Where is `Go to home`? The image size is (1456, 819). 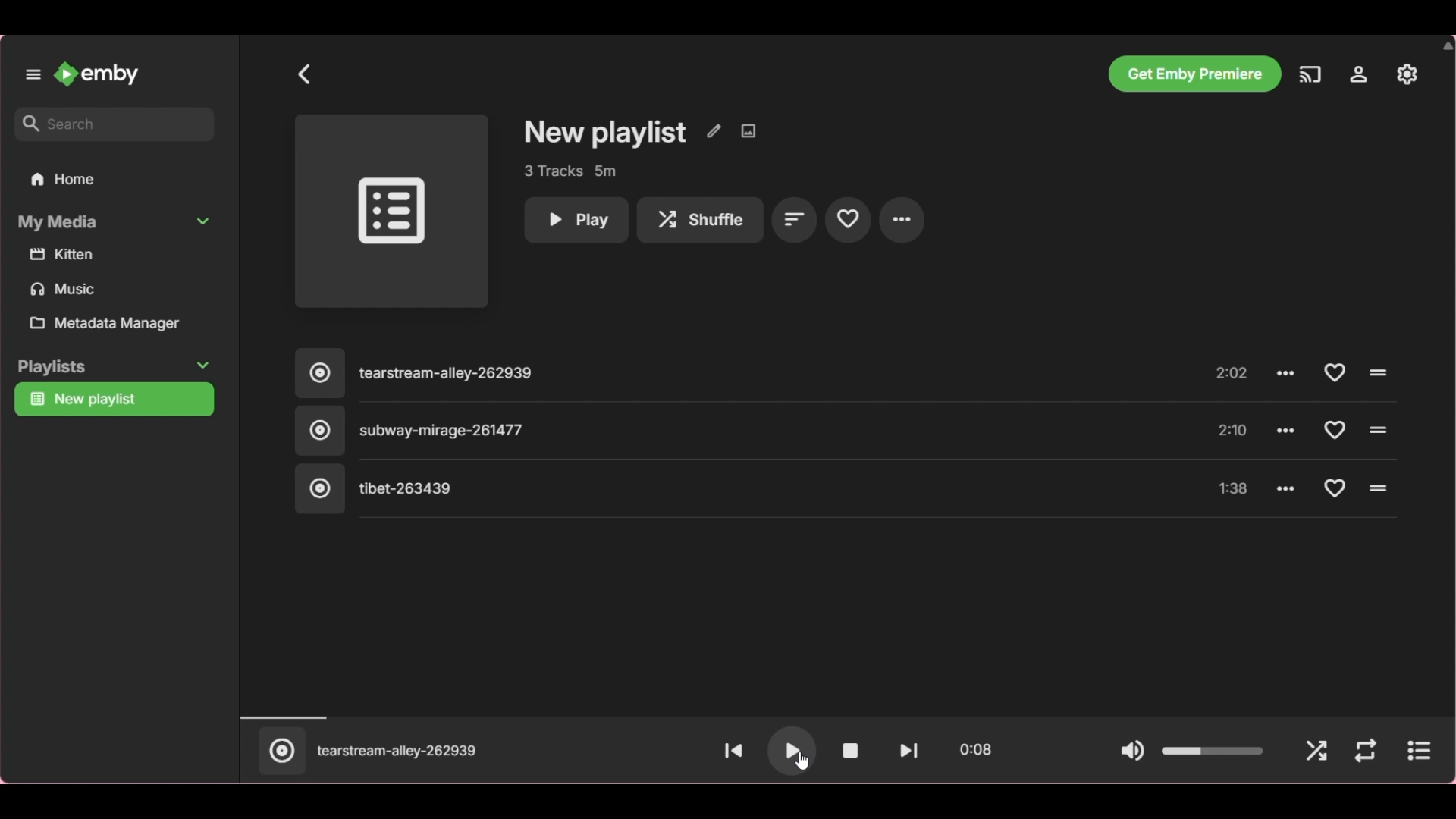 Go to home is located at coordinates (115, 178).